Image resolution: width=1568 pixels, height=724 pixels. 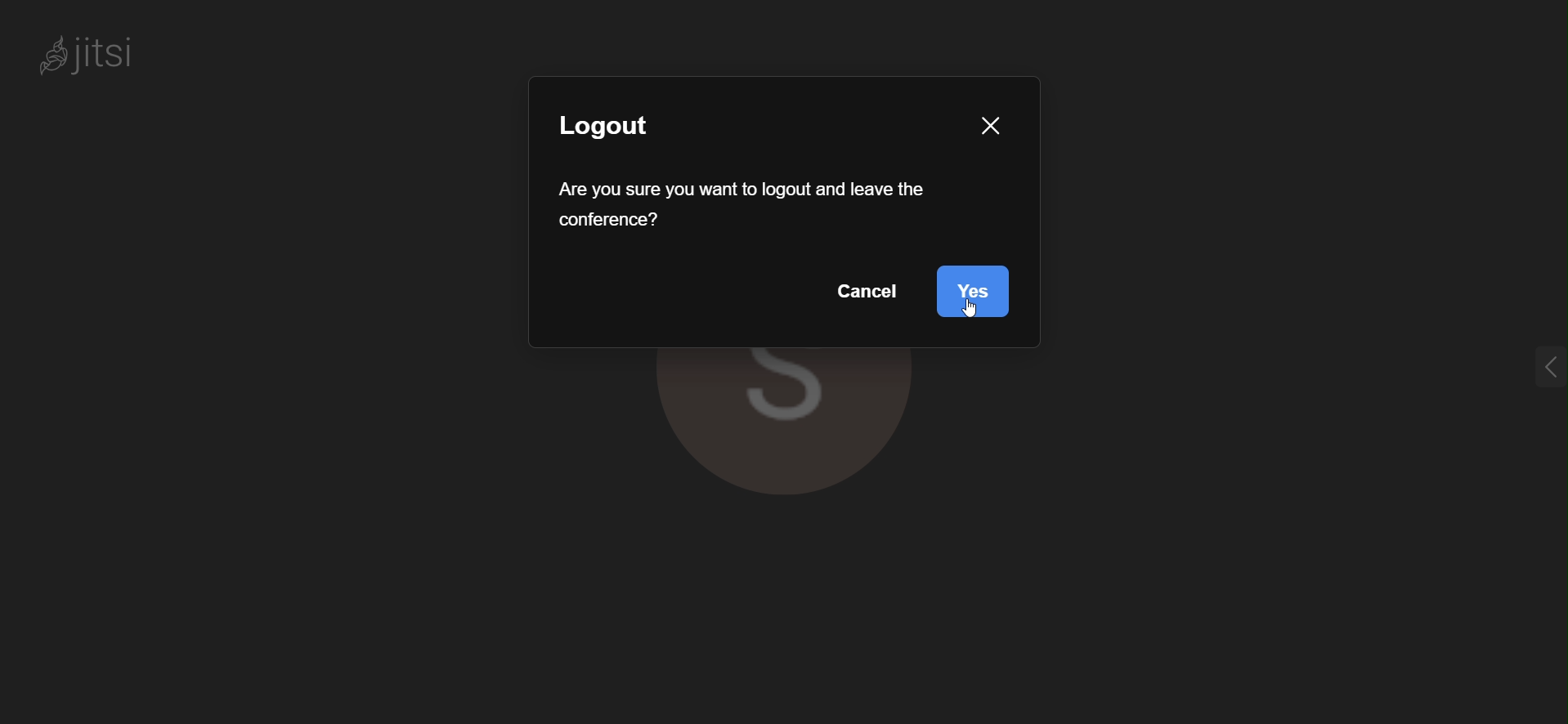 I want to click on expand, so click(x=1544, y=367).